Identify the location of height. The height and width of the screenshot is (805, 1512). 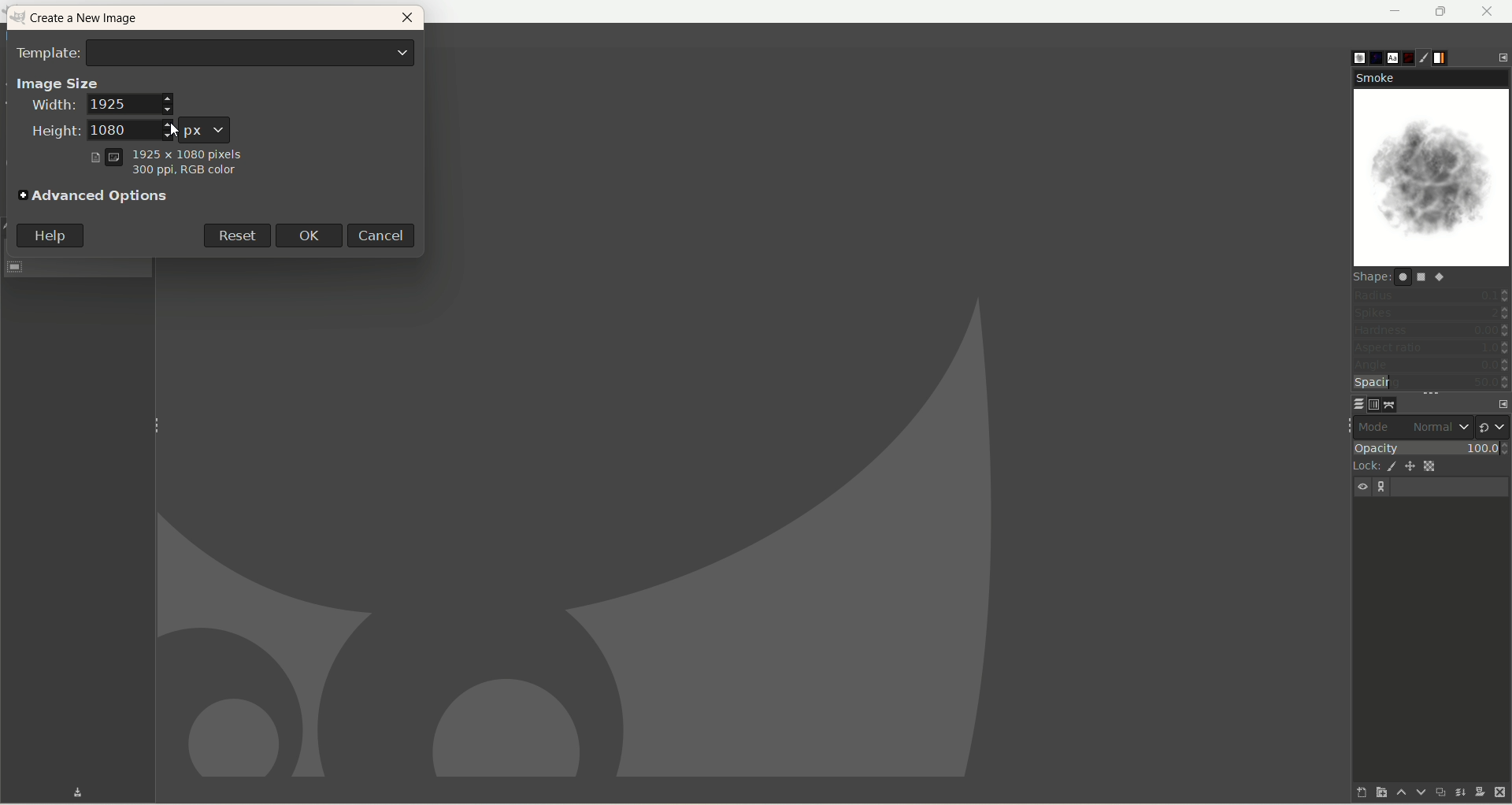
(83, 131).